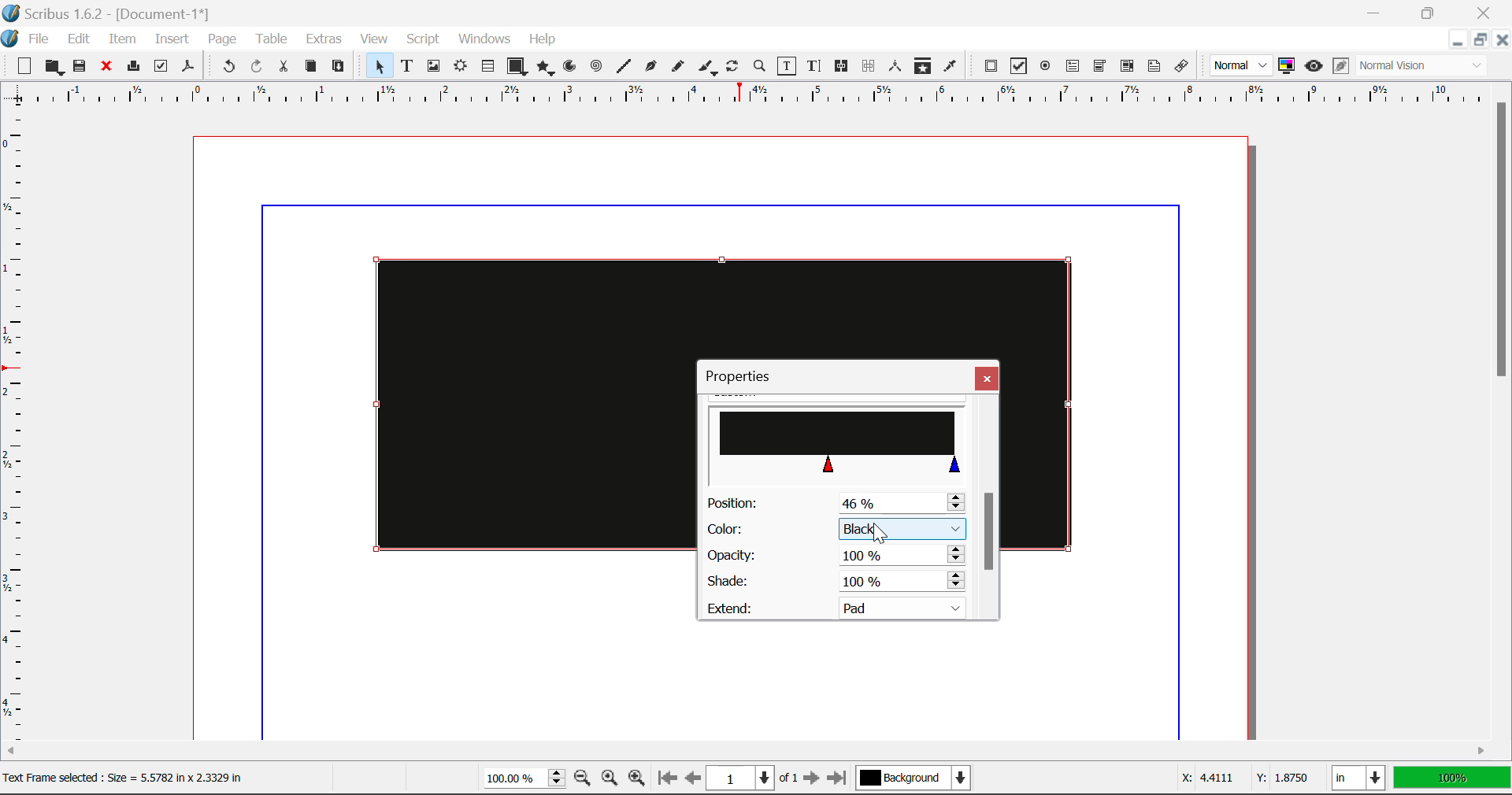 The width and height of the screenshot is (1512, 795). What do you see at coordinates (41, 39) in the screenshot?
I see `File` at bounding box center [41, 39].